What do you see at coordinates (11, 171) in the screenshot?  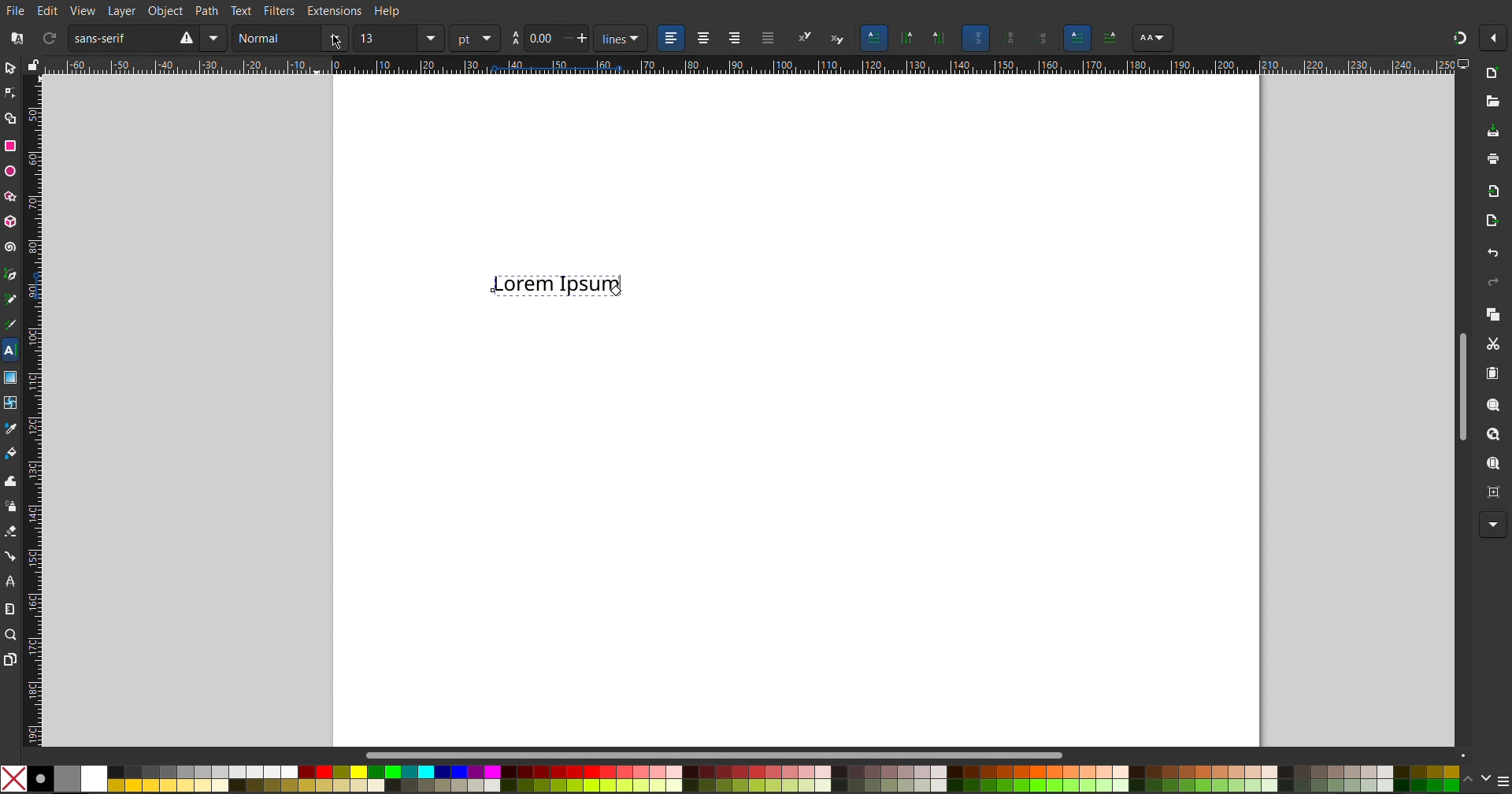 I see `Ellipse` at bounding box center [11, 171].